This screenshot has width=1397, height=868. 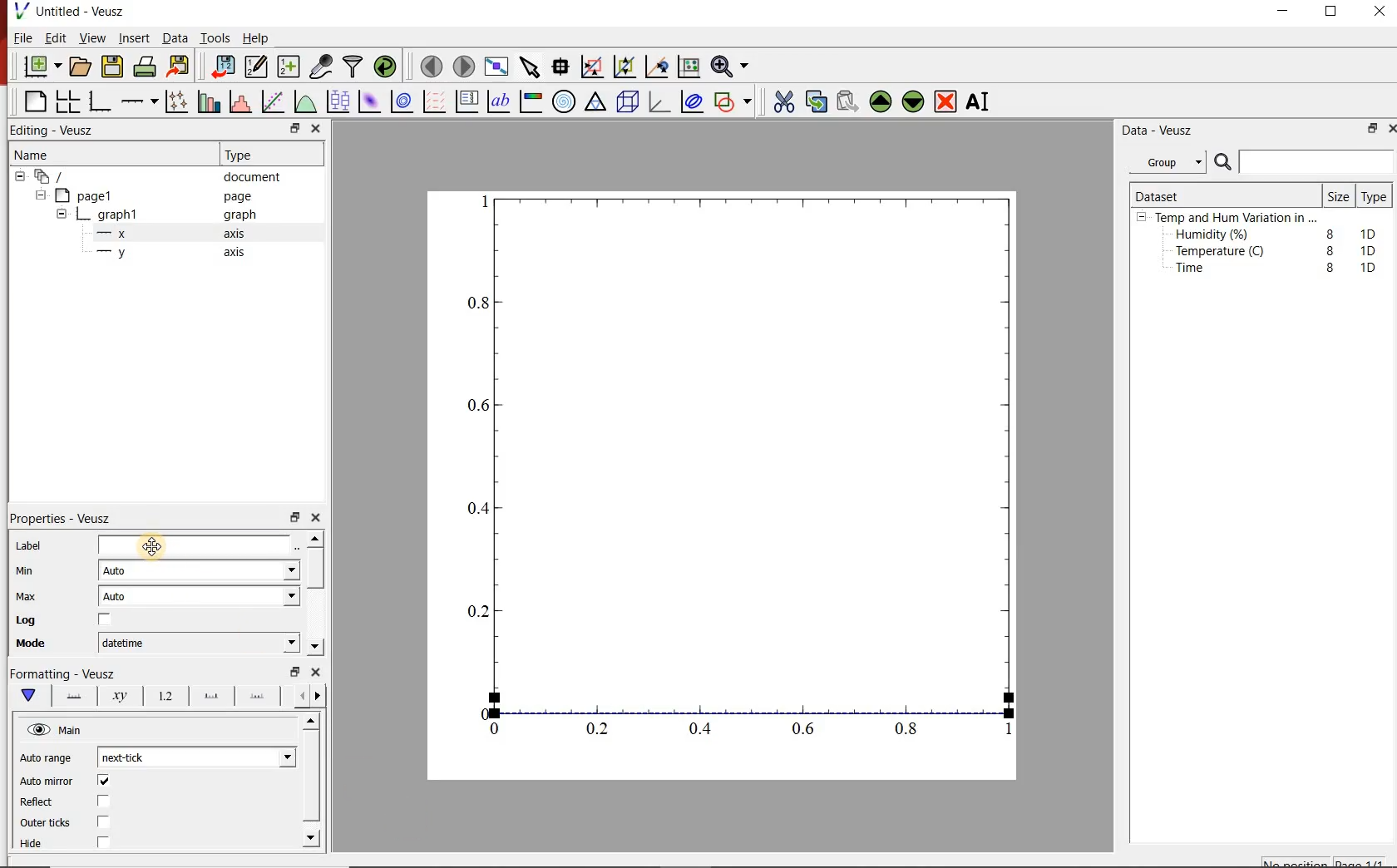 I want to click on 3d scene, so click(x=629, y=104).